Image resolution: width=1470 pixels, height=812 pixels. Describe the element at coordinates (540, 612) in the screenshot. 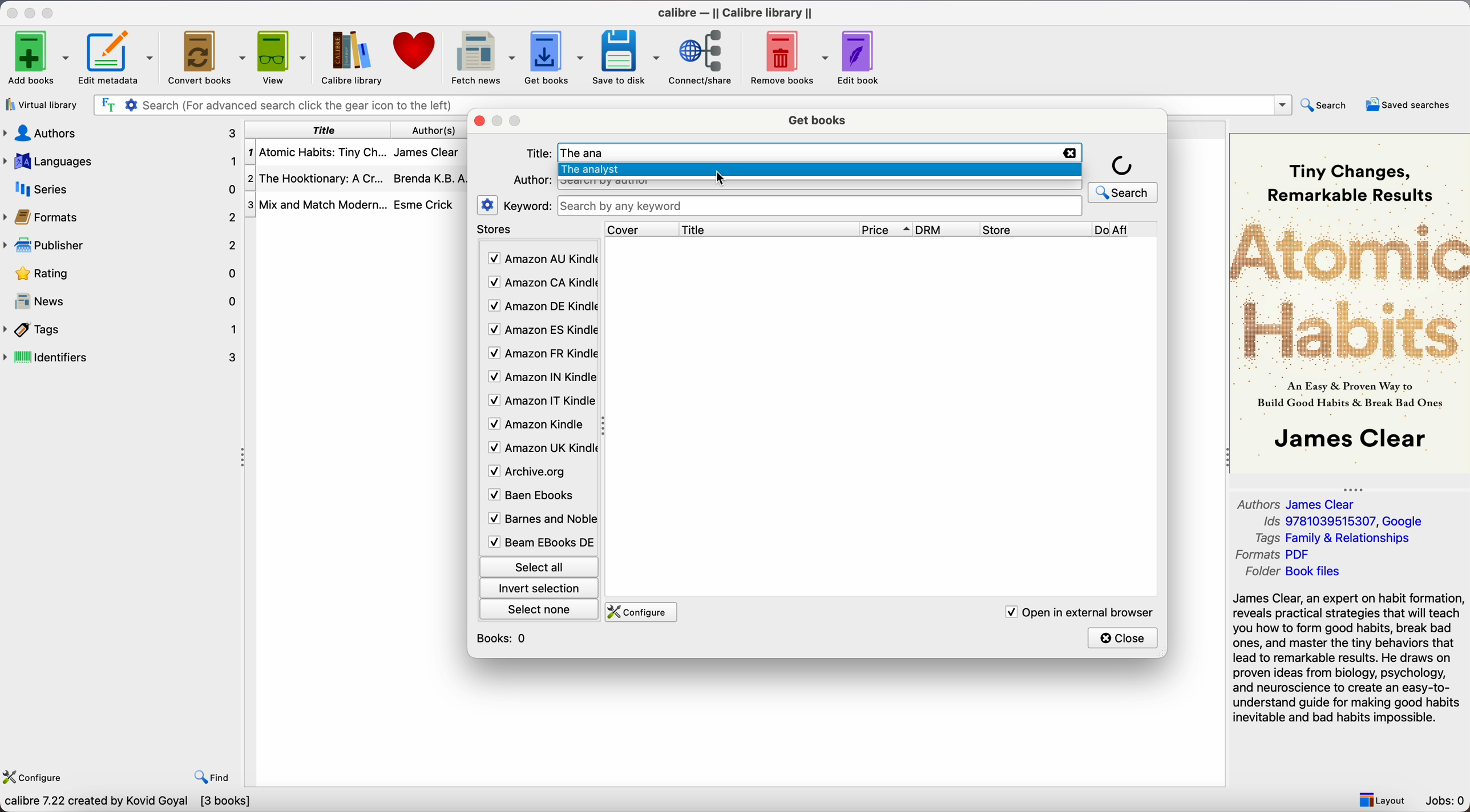

I see `select none` at that location.